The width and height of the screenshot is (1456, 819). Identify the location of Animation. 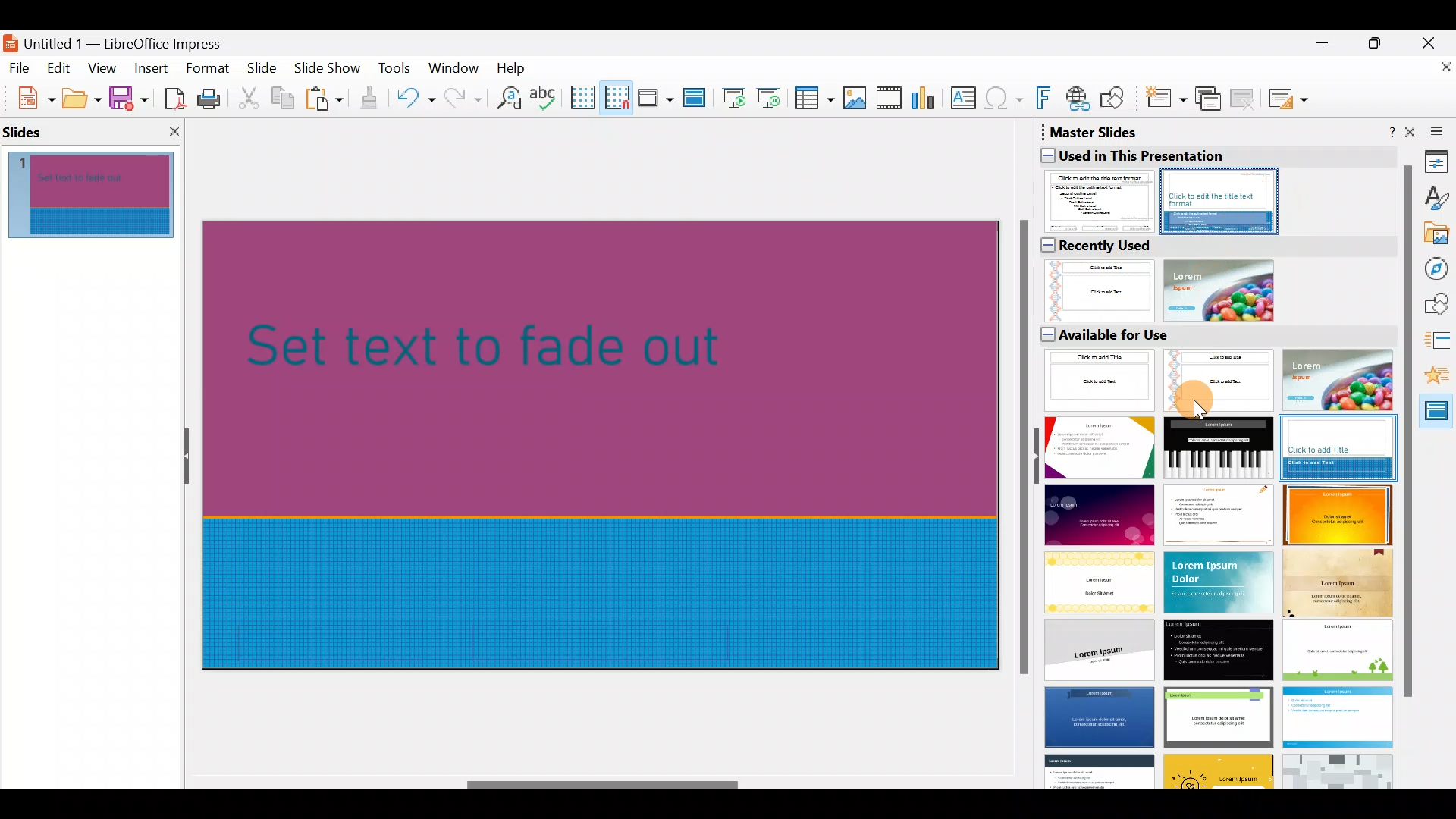
(1439, 378).